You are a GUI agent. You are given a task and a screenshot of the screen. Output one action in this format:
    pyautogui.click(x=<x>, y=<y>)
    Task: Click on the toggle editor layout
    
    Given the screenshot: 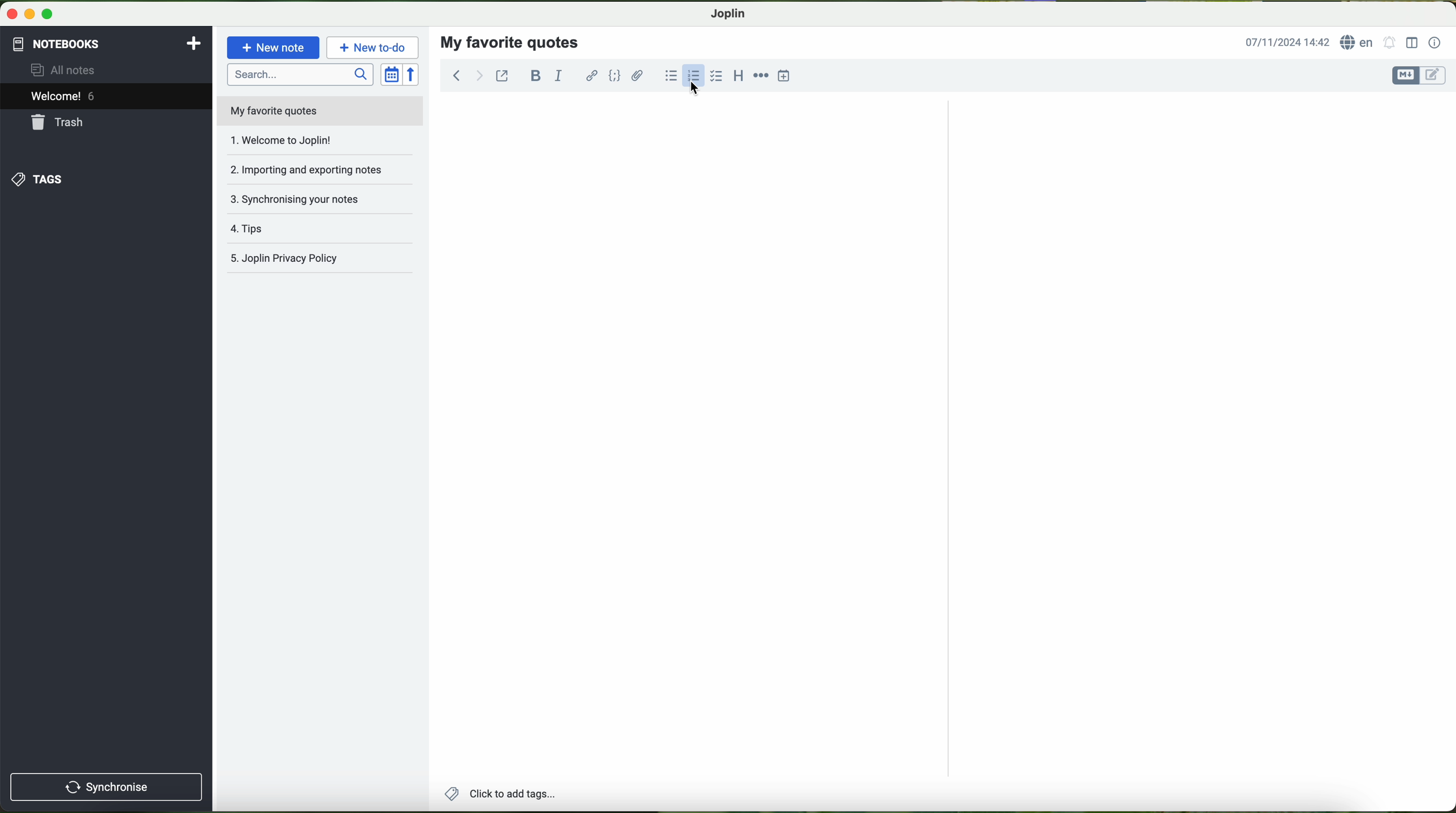 What is the action you would take?
    pyautogui.click(x=1411, y=43)
    